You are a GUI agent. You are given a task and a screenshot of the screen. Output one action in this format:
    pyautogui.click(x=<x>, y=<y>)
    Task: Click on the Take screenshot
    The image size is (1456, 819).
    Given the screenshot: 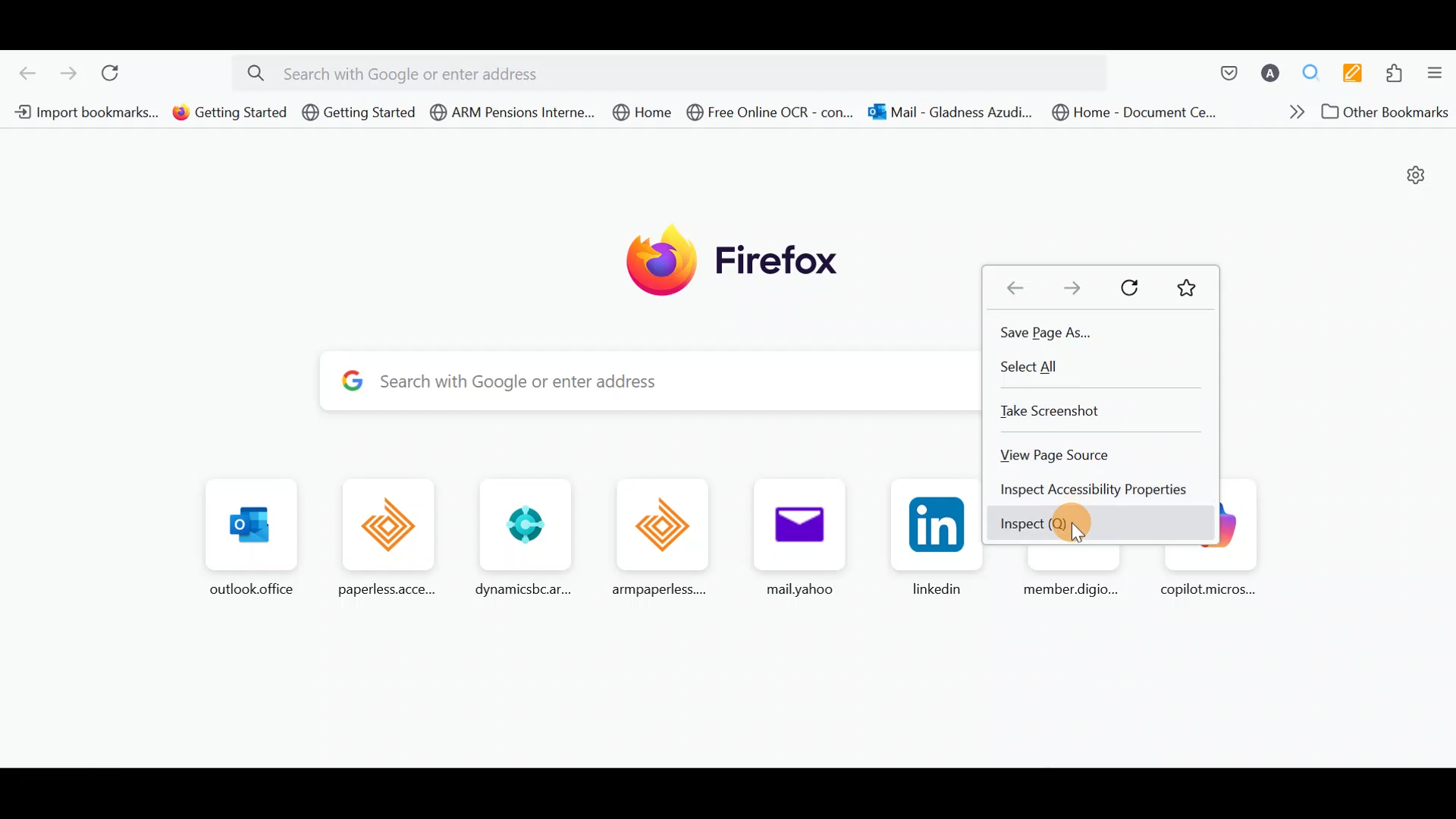 What is the action you would take?
    pyautogui.click(x=1068, y=411)
    